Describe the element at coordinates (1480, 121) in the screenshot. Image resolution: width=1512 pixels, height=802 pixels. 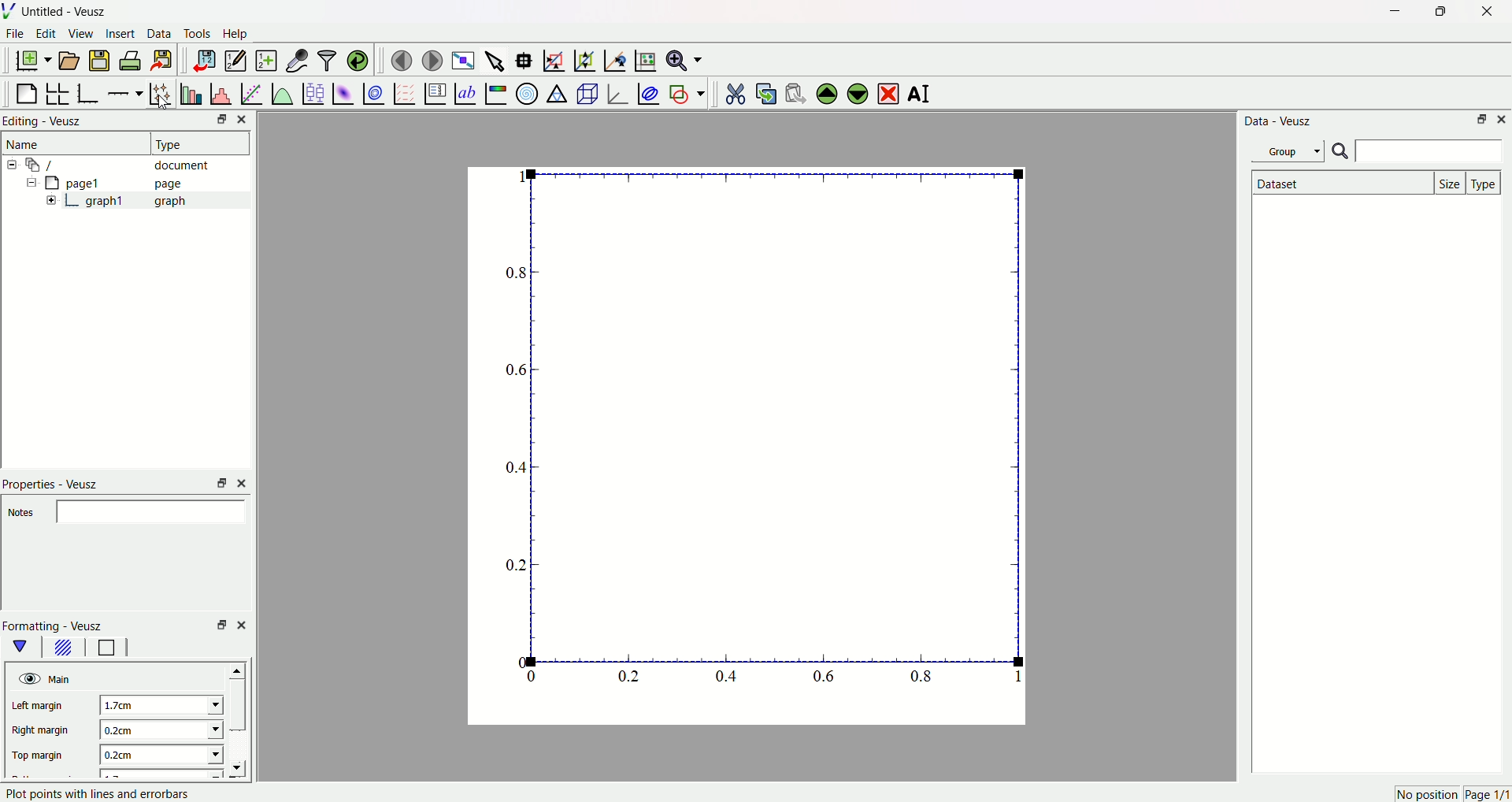
I see `Minimize` at that location.